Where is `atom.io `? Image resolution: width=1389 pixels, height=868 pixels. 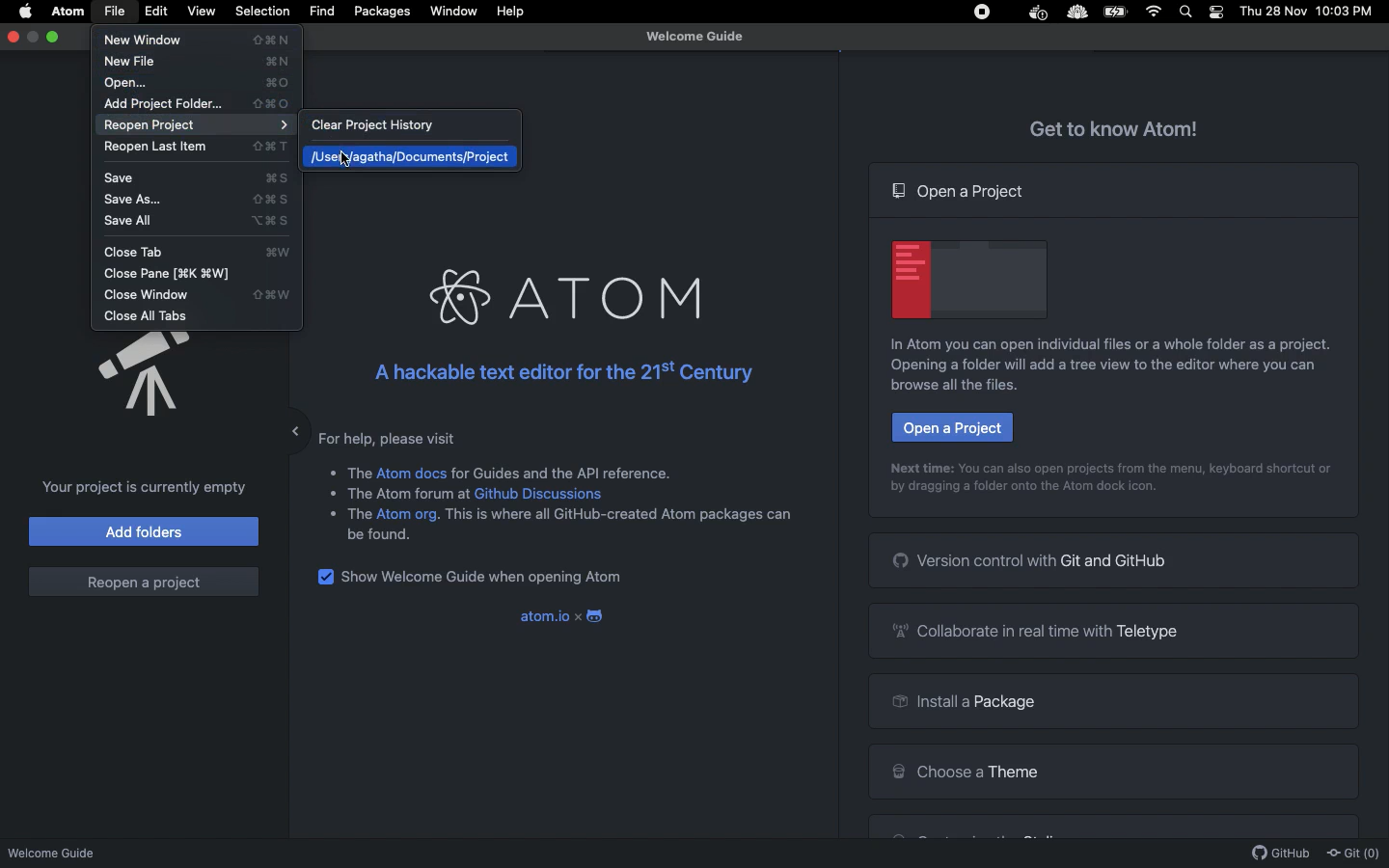 atom.io  is located at coordinates (542, 616).